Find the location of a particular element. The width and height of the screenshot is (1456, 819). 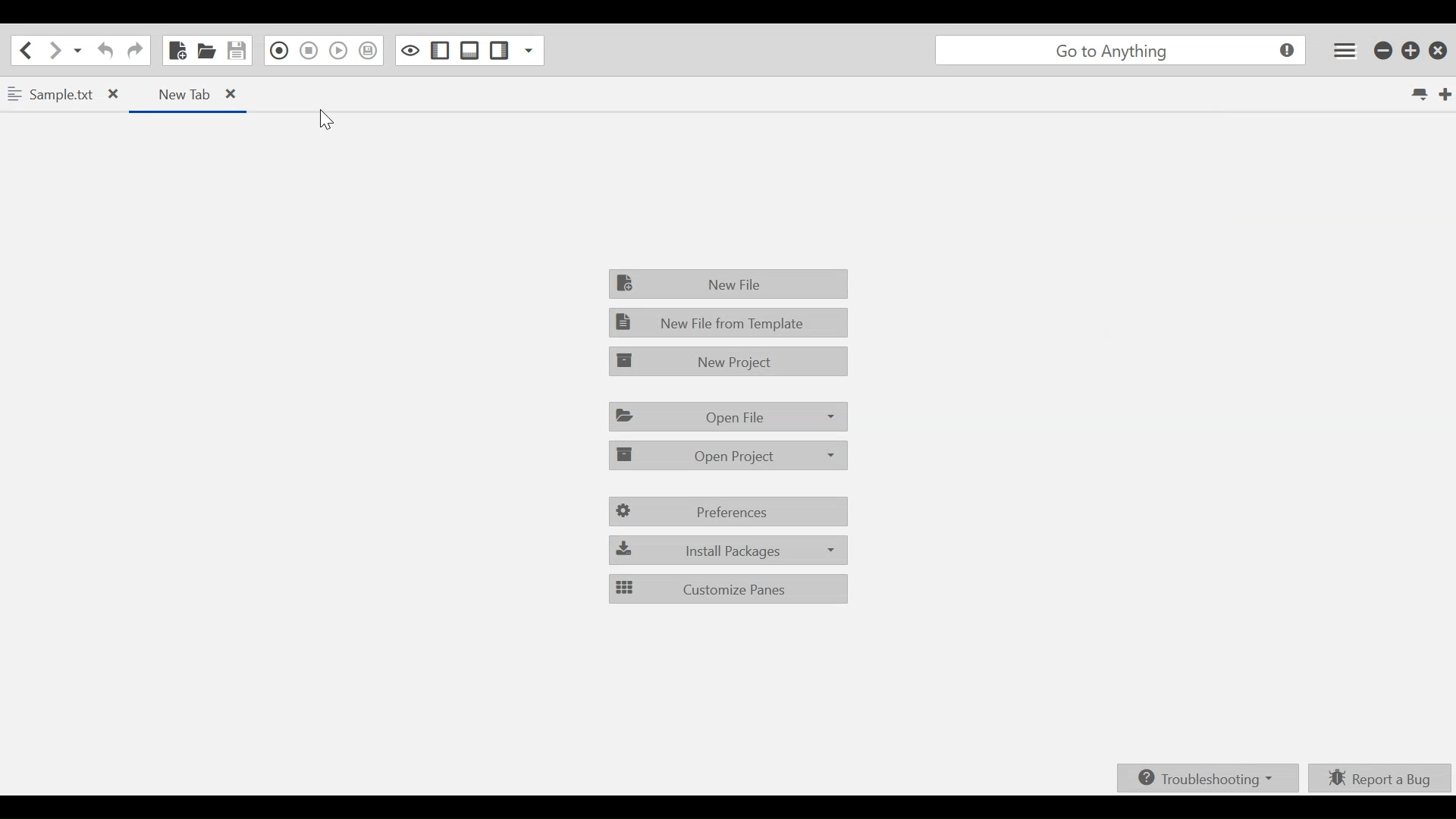

Troubleshooting is located at coordinates (1207, 776).